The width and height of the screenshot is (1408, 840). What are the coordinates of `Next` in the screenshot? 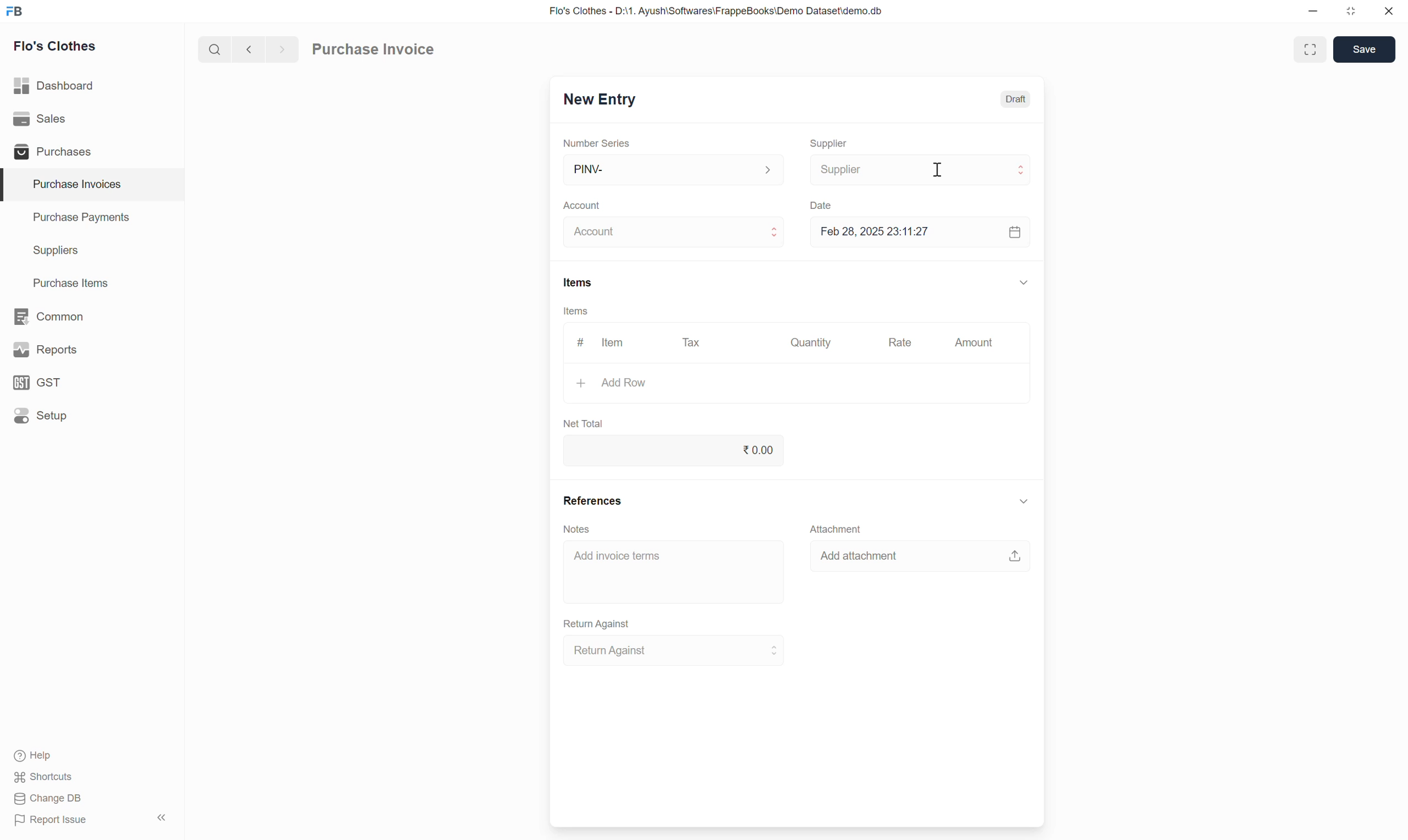 It's located at (283, 49).